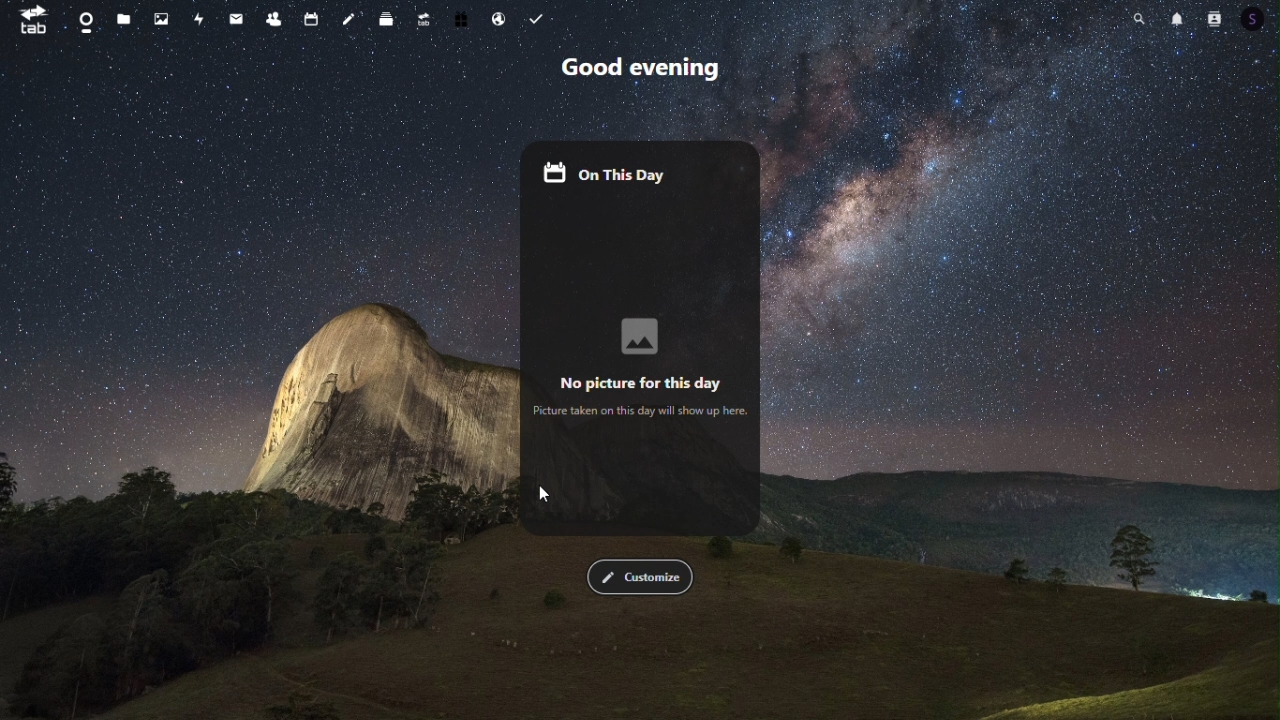 Image resolution: width=1280 pixels, height=720 pixels. I want to click on deck, so click(390, 19).